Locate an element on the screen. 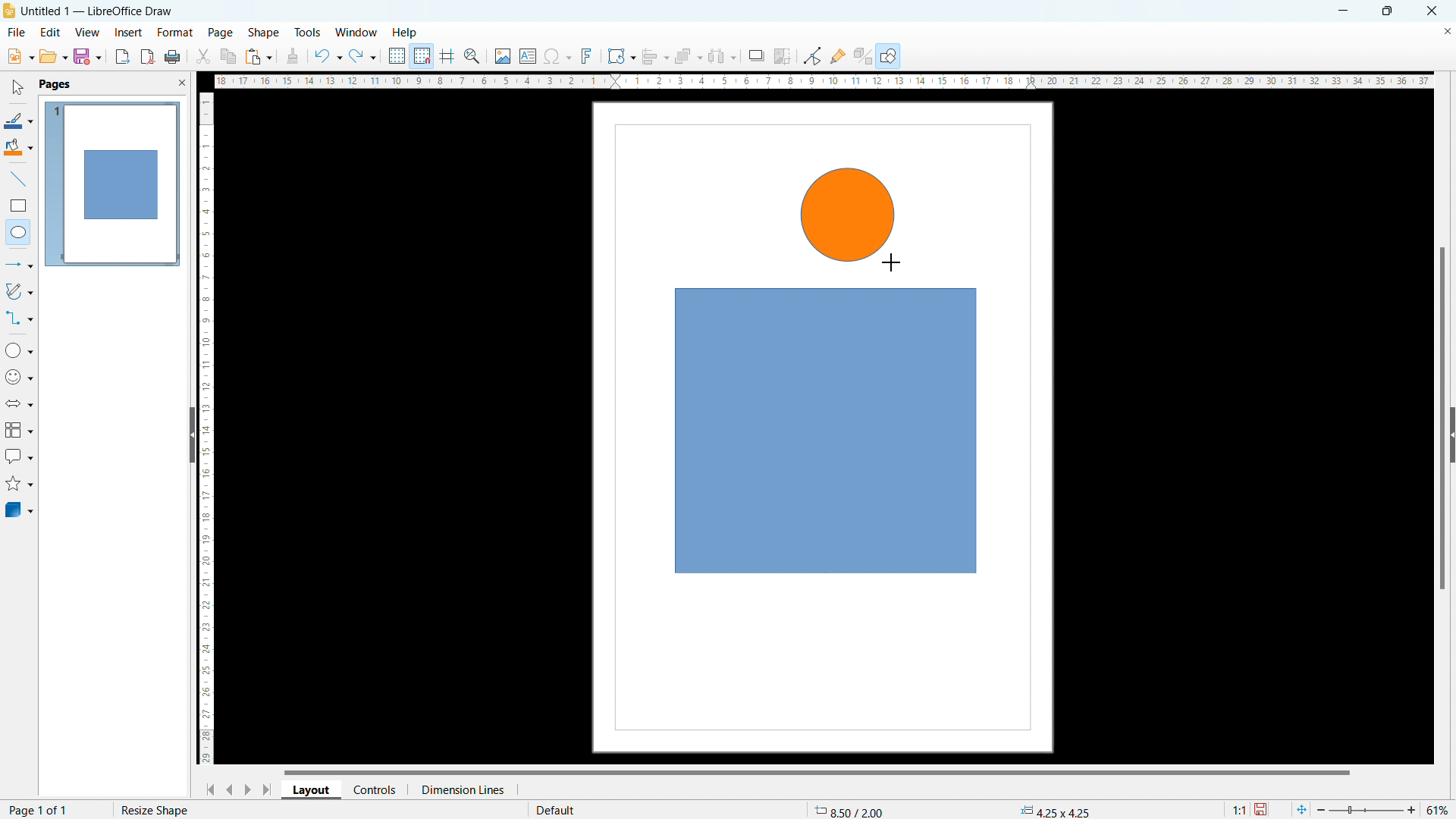  crop is located at coordinates (783, 56).